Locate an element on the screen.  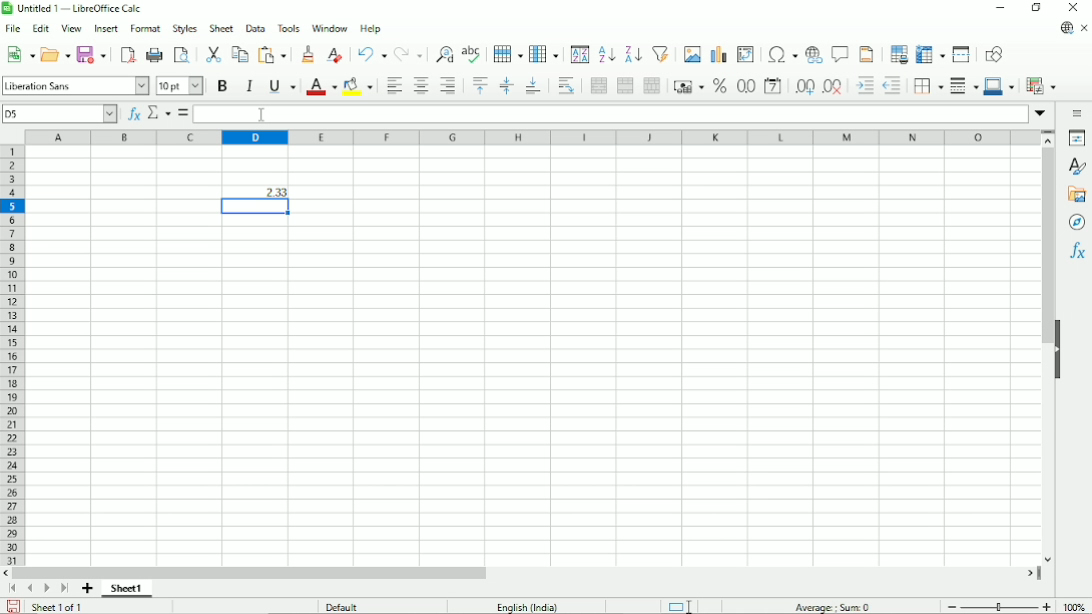
Conditional is located at coordinates (1044, 86).